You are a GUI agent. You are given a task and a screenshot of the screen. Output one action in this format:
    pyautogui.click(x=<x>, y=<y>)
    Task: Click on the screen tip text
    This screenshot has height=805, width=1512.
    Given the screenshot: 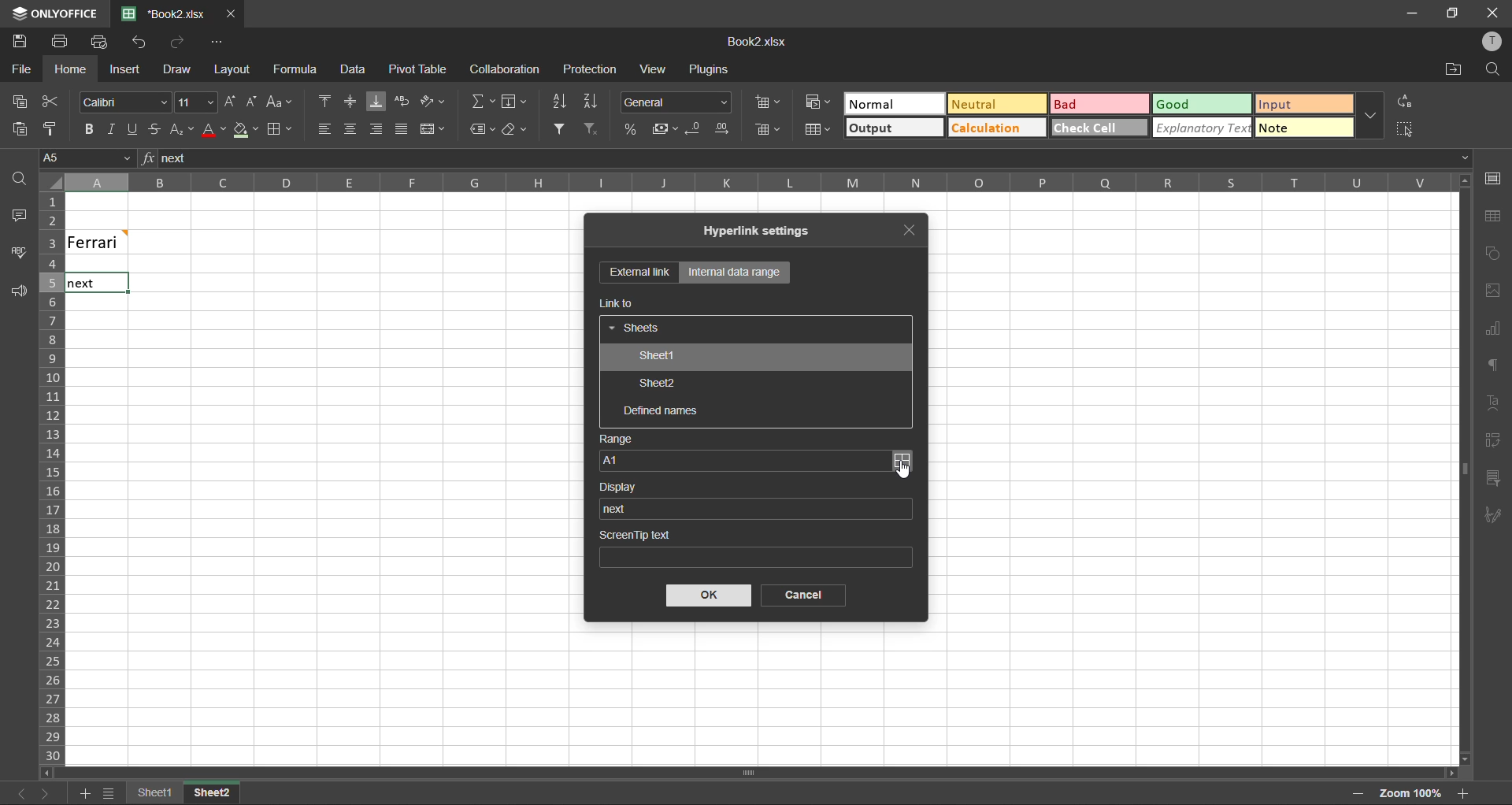 What is the action you would take?
    pyautogui.click(x=754, y=546)
    